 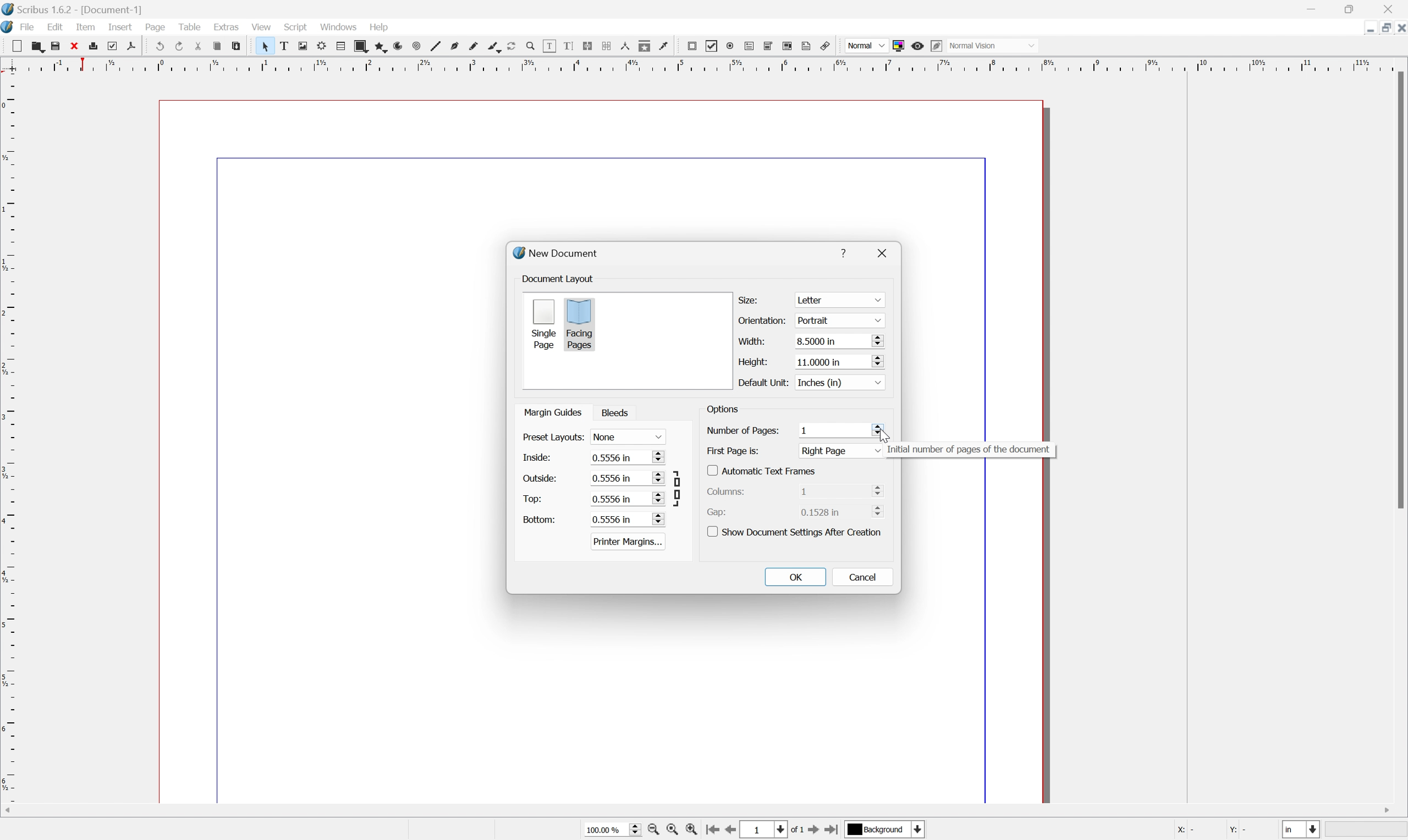 What do you see at coordinates (700, 64) in the screenshot?
I see `Ruler` at bounding box center [700, 64].